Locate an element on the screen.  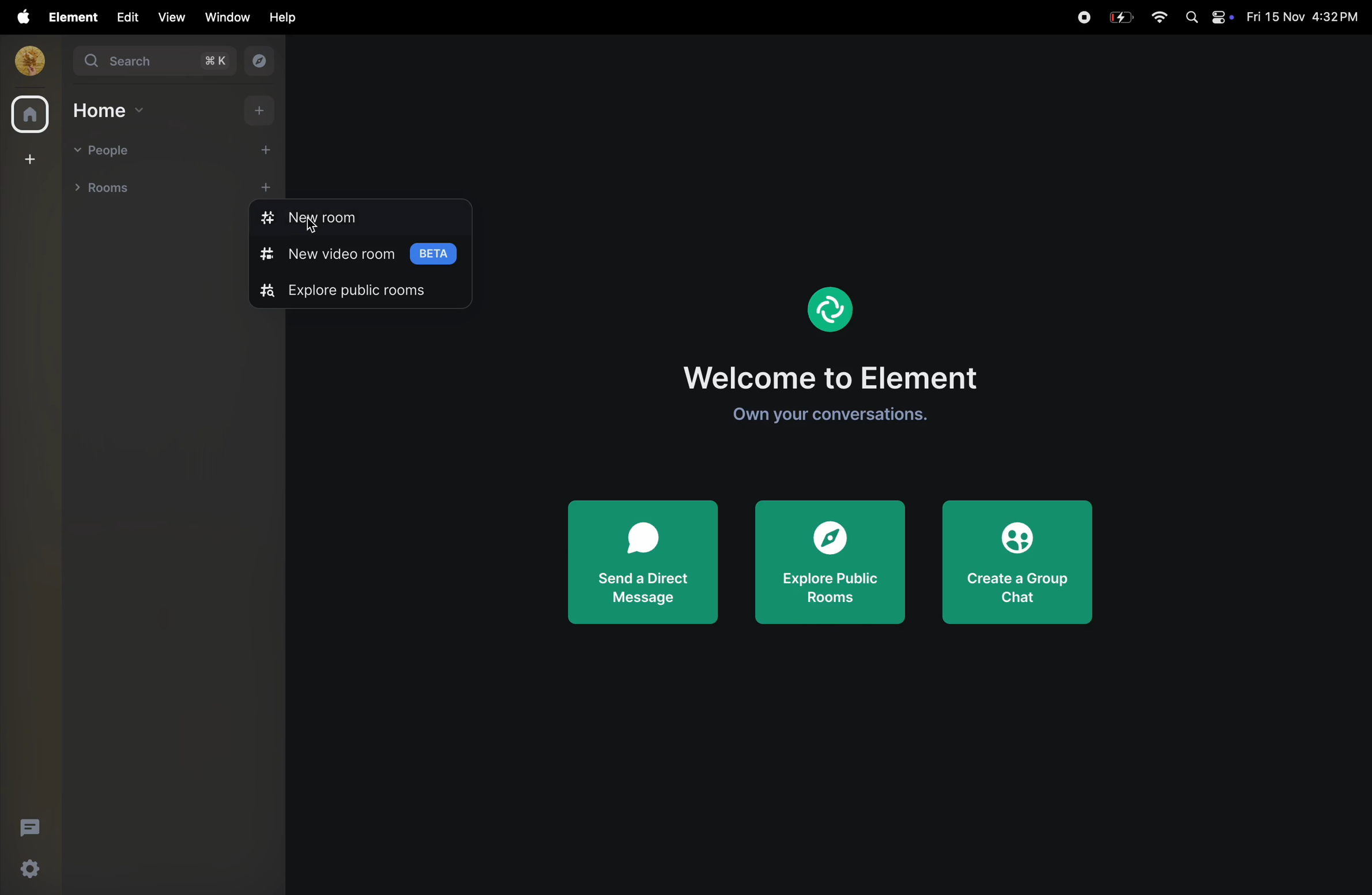
home is located at coordinates (109, 111).